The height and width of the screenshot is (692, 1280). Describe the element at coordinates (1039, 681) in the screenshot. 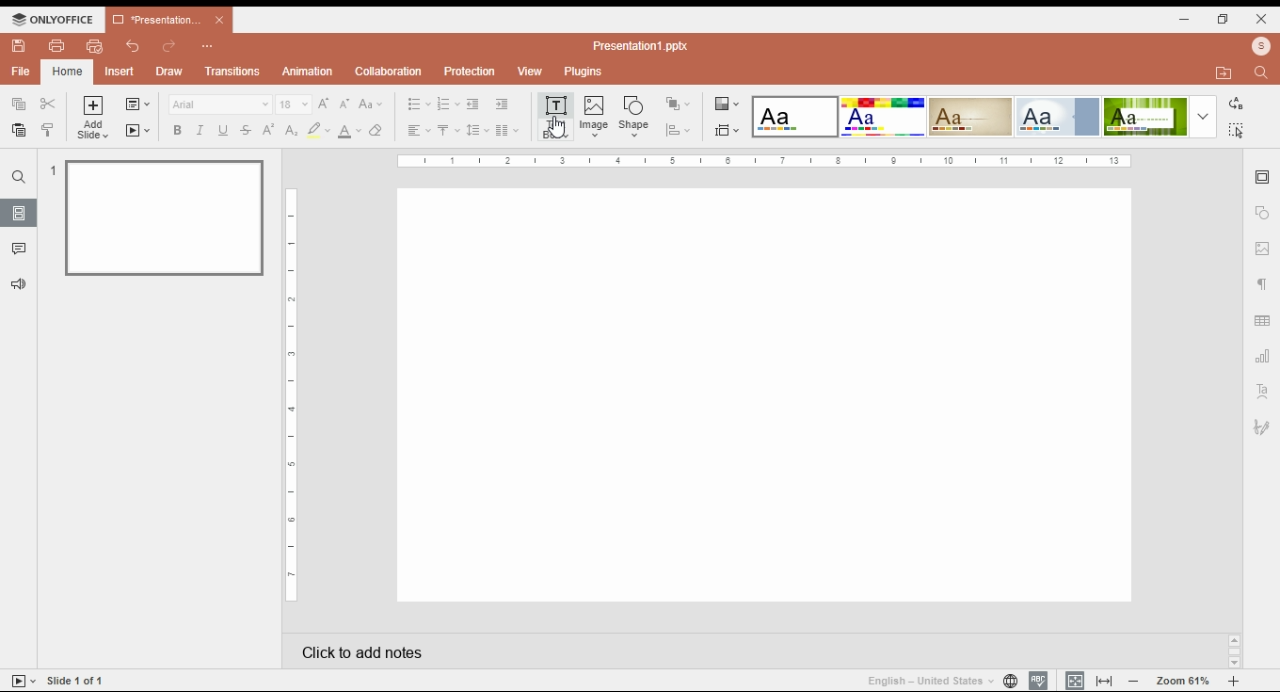

I see `spell check` at that location.